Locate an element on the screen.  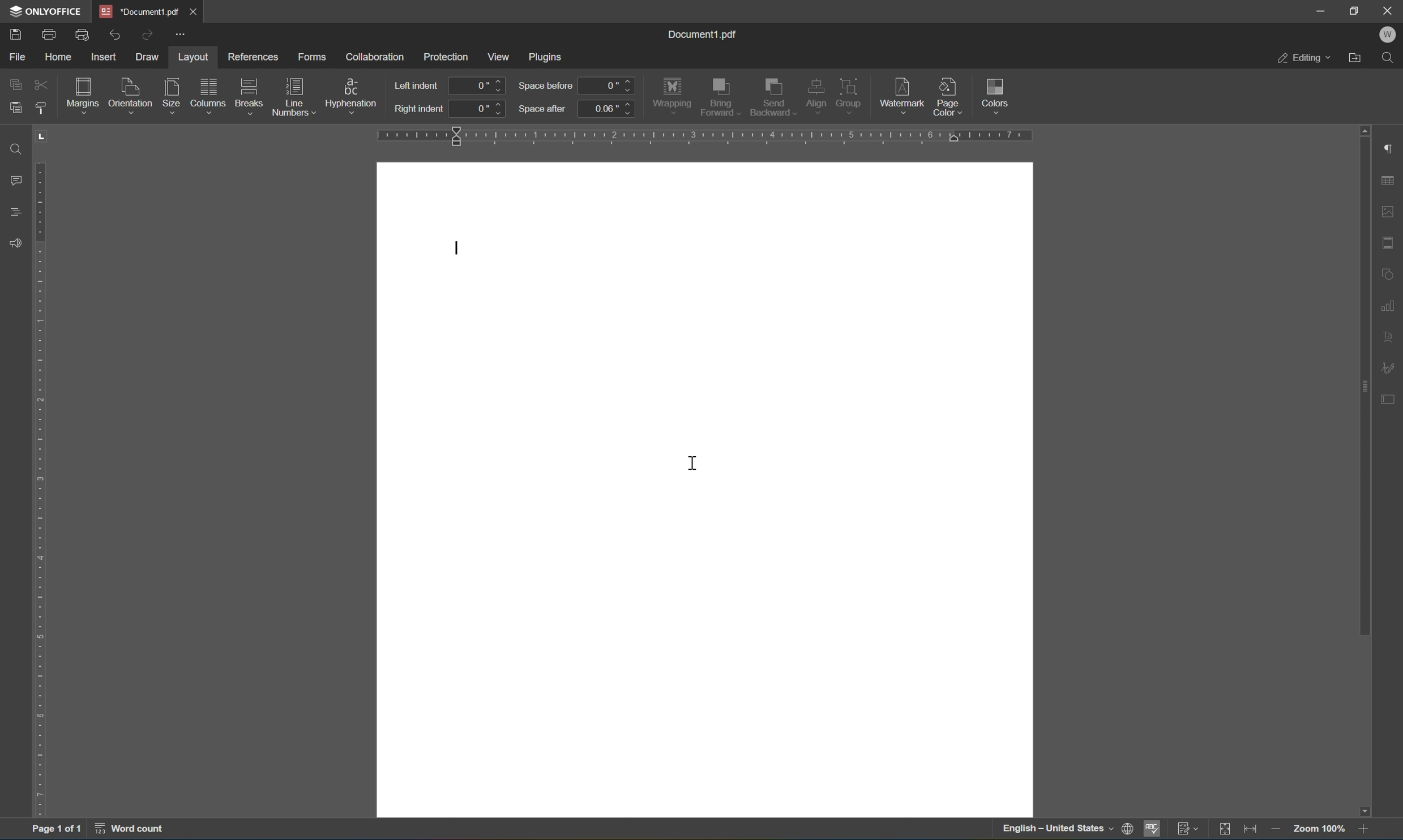
home is located at coordinates (56, 56).